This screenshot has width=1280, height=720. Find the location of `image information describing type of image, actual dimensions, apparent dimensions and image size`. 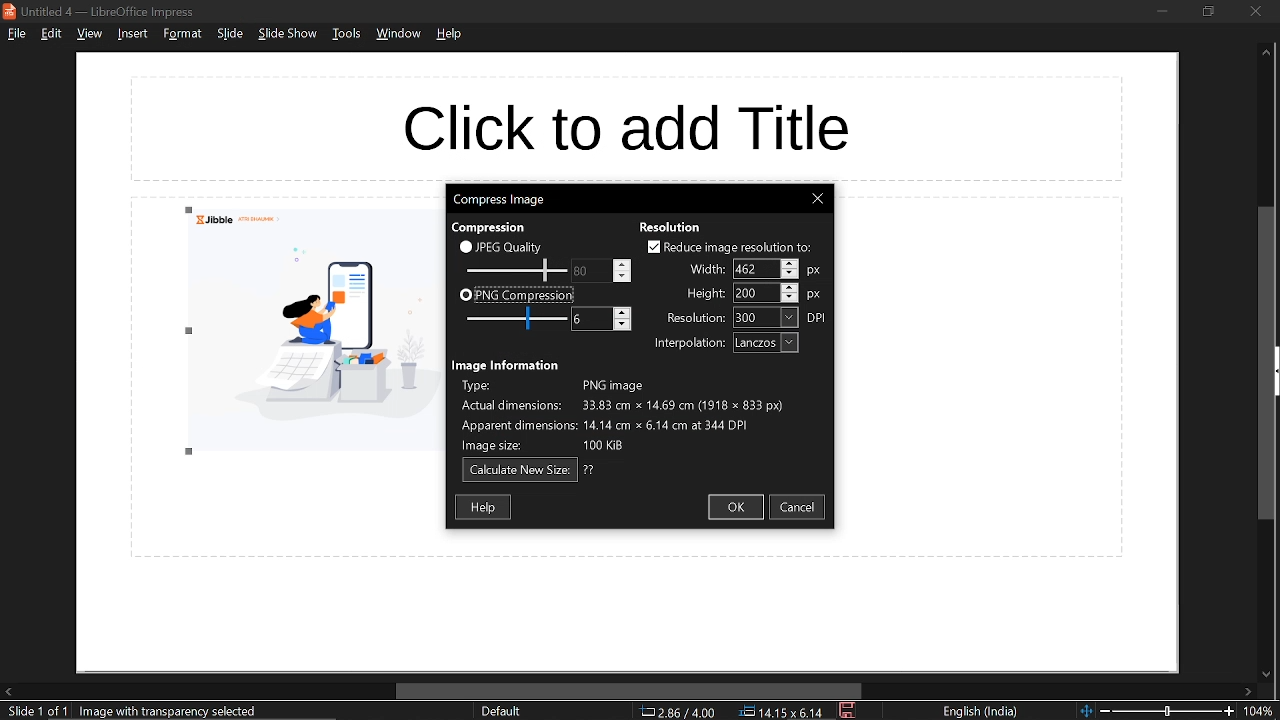

image information describing type of image, actual dimensions, apparent dimensions and image size is located at coordinates (634, 416).